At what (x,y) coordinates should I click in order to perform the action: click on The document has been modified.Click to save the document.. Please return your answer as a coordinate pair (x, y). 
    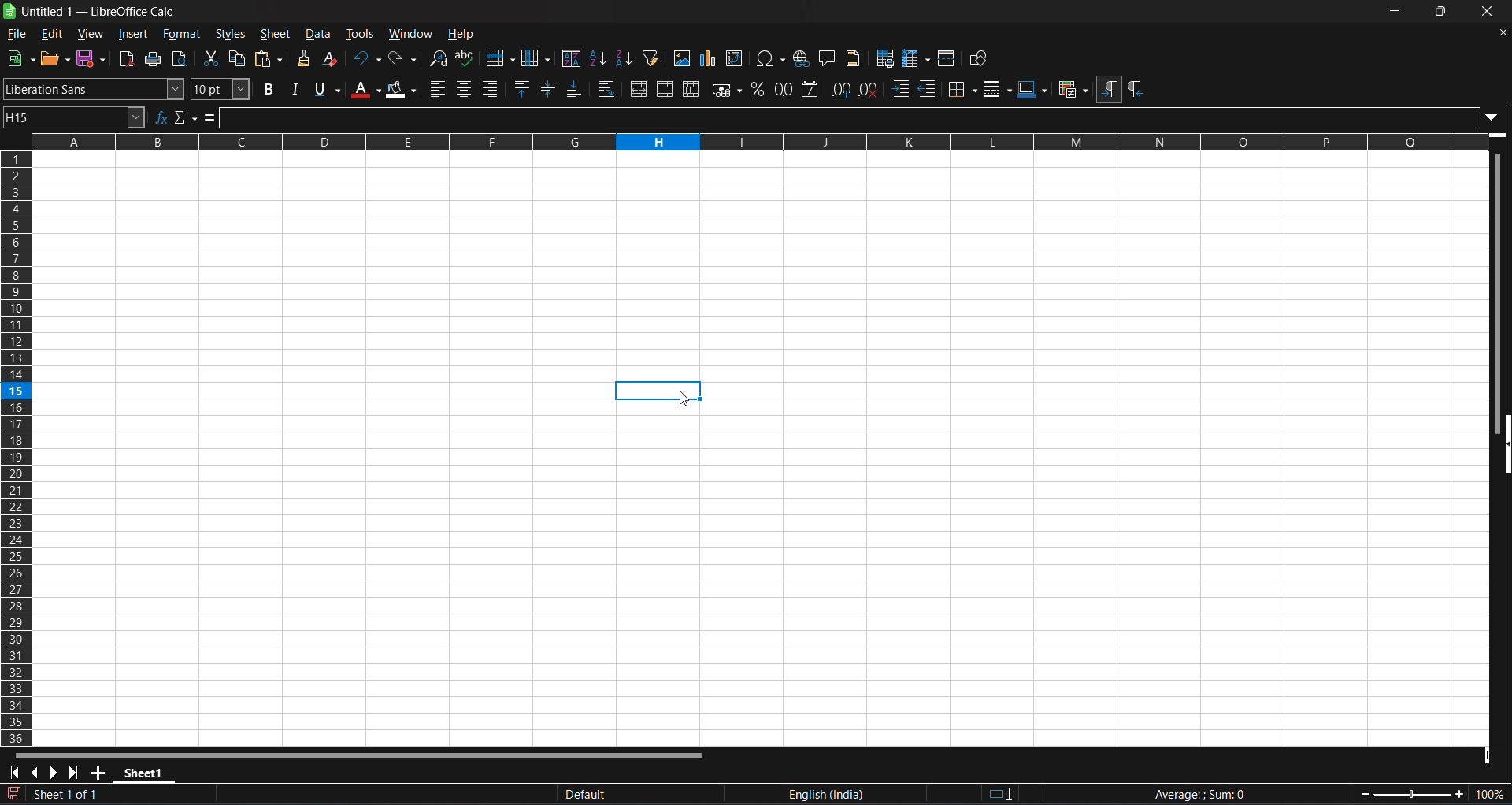
    Looking at the image, I should click on (240, 796).